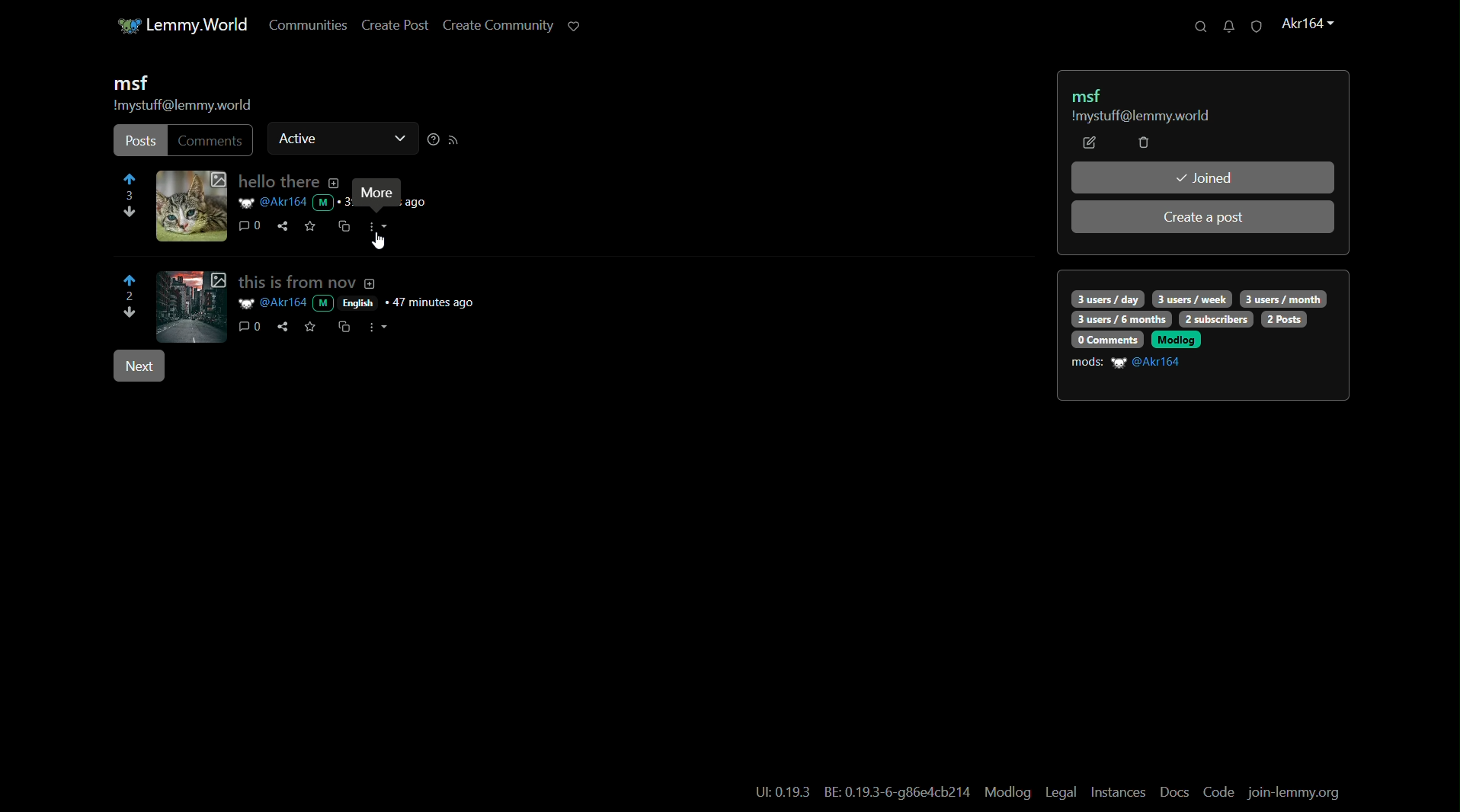  Describe the element at coordinates (244, 227) in the screenshot. I see `comment` at that location.